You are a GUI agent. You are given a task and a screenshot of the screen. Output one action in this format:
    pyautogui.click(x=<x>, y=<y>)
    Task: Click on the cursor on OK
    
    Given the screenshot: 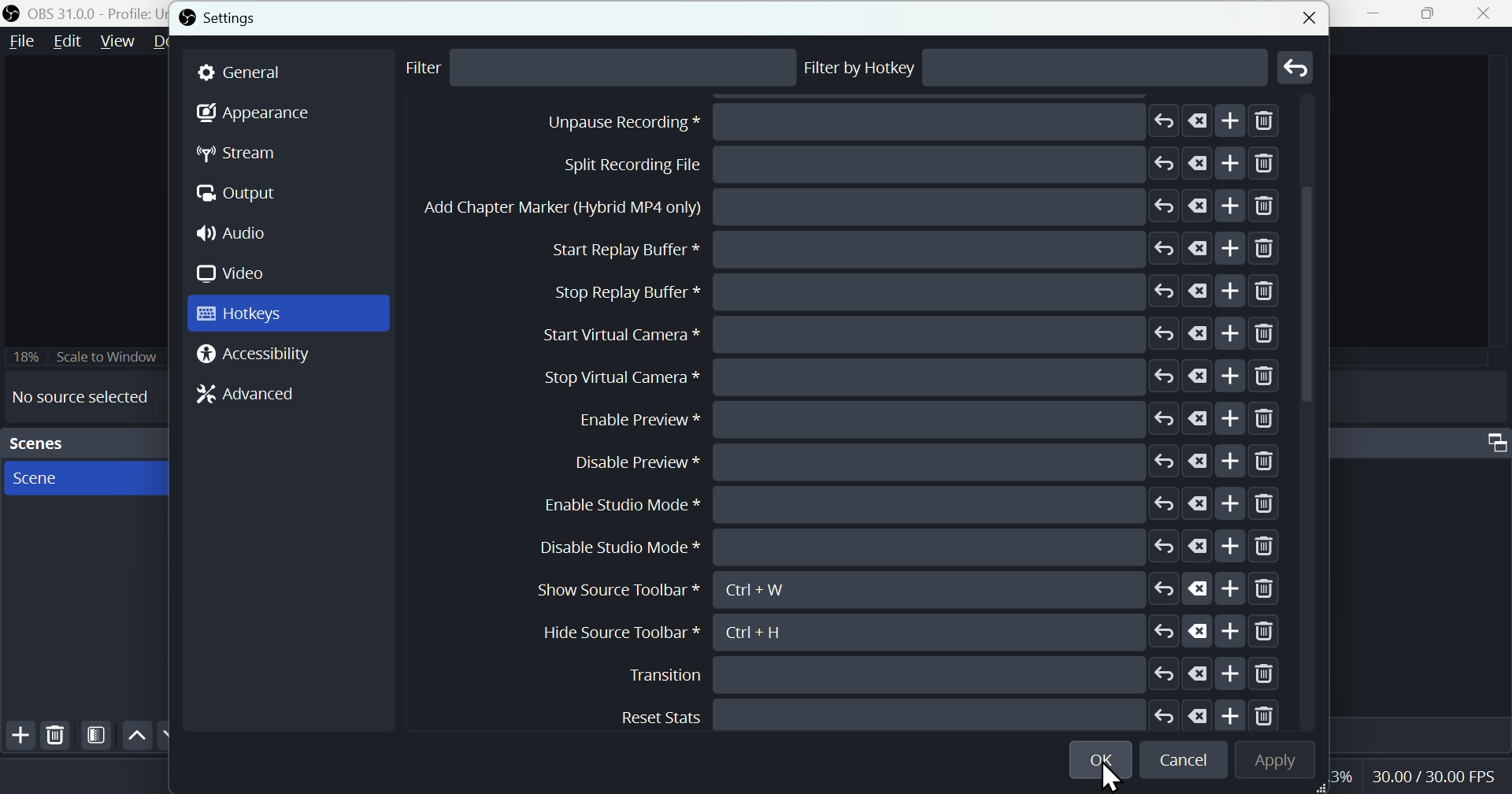 What is the action you would take?
    pyautogui.click(x=1105, y=777)
    